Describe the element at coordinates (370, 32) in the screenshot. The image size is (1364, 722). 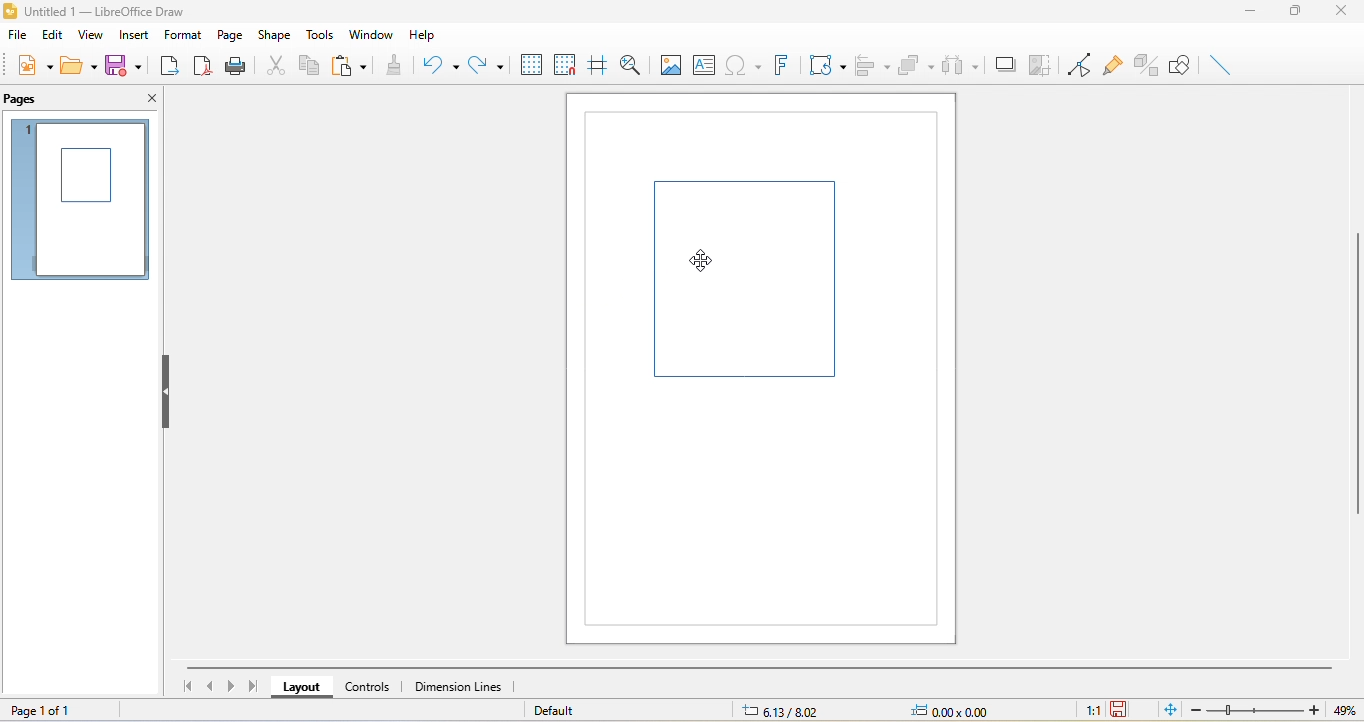
I see `window` at that location.